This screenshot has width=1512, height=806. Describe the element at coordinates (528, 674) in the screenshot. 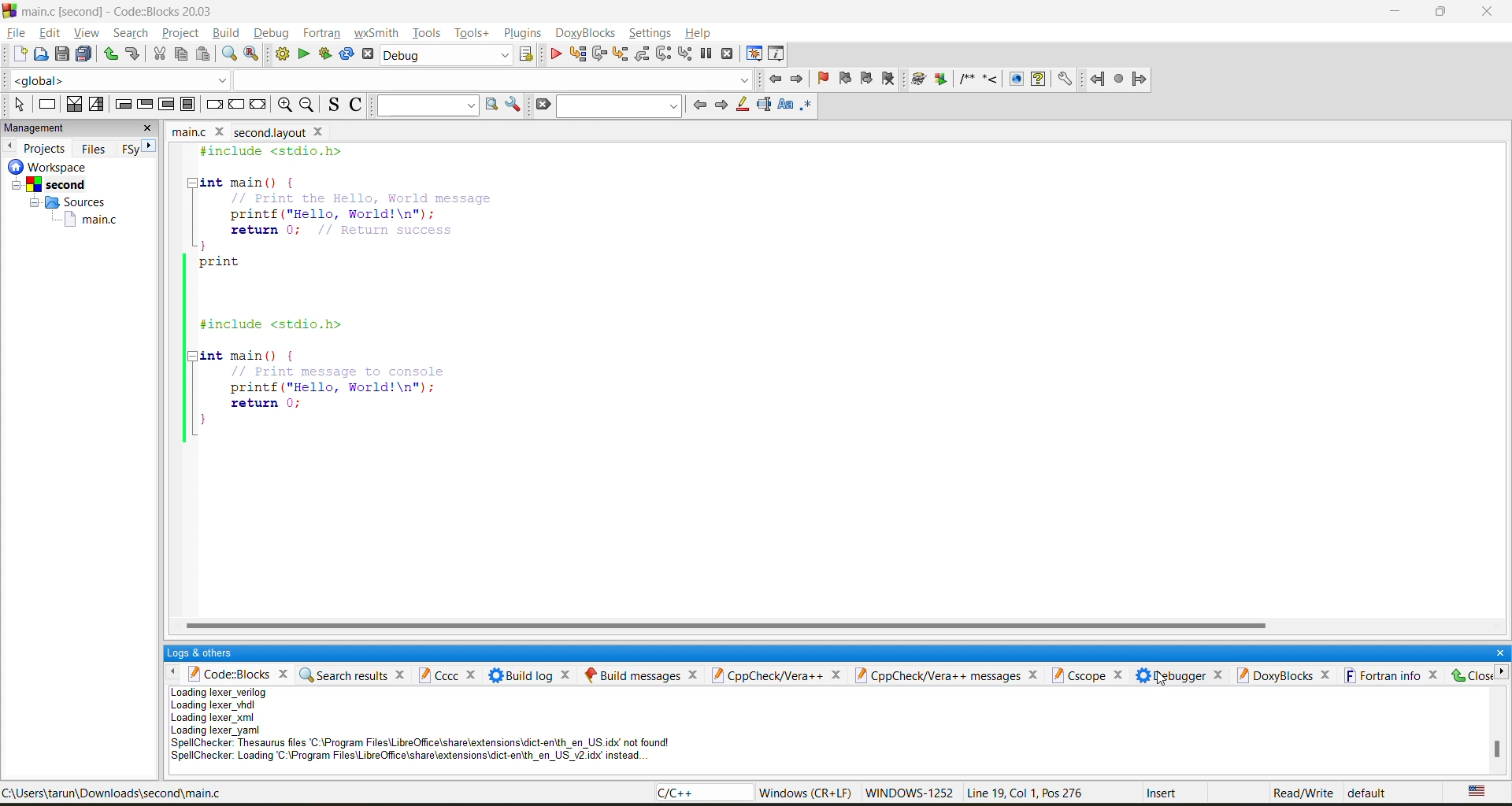

I see `build log` at that location.